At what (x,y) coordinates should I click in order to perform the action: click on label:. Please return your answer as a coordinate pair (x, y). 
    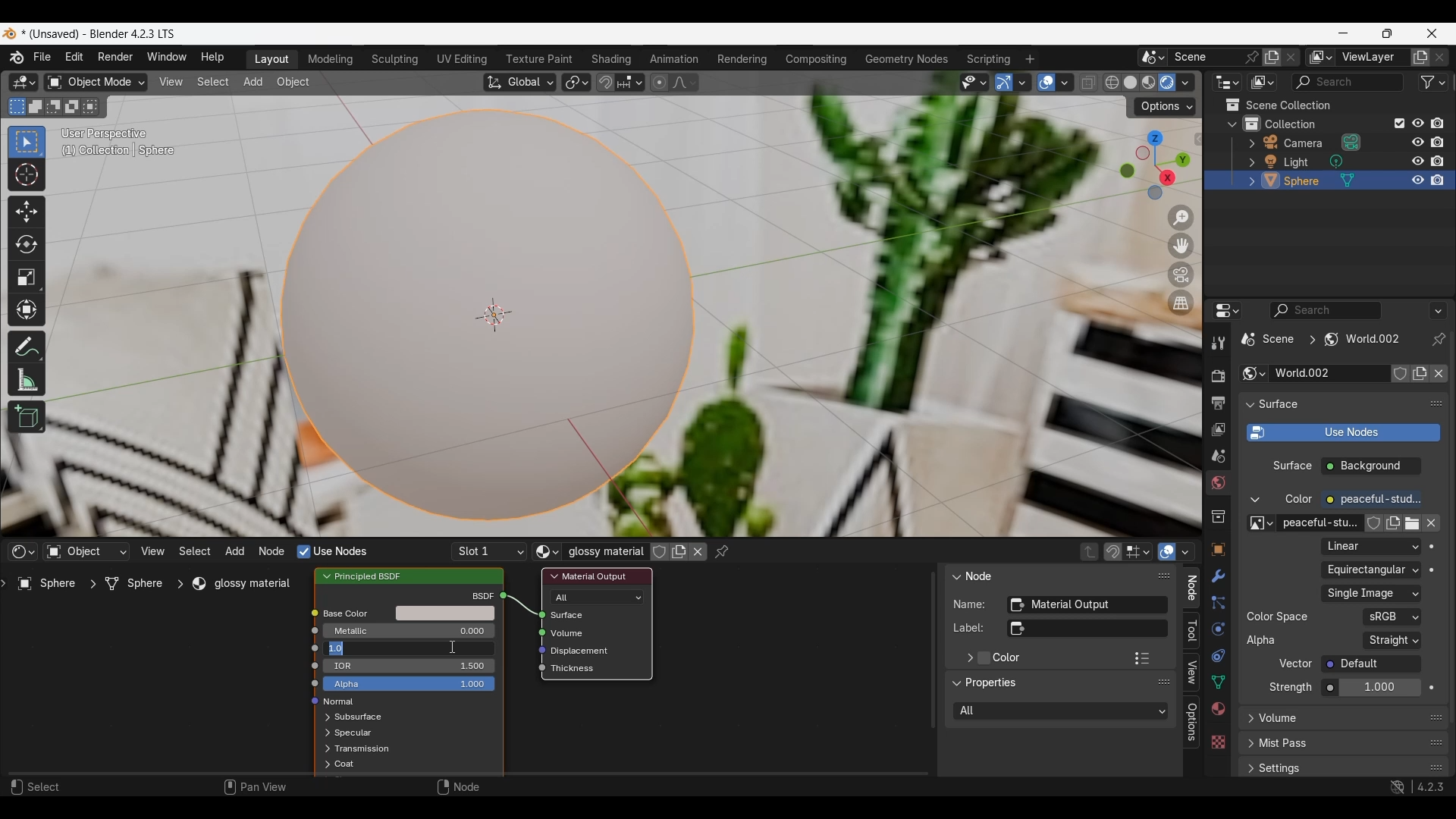
    Looking at the image, I should click on (969, 628).